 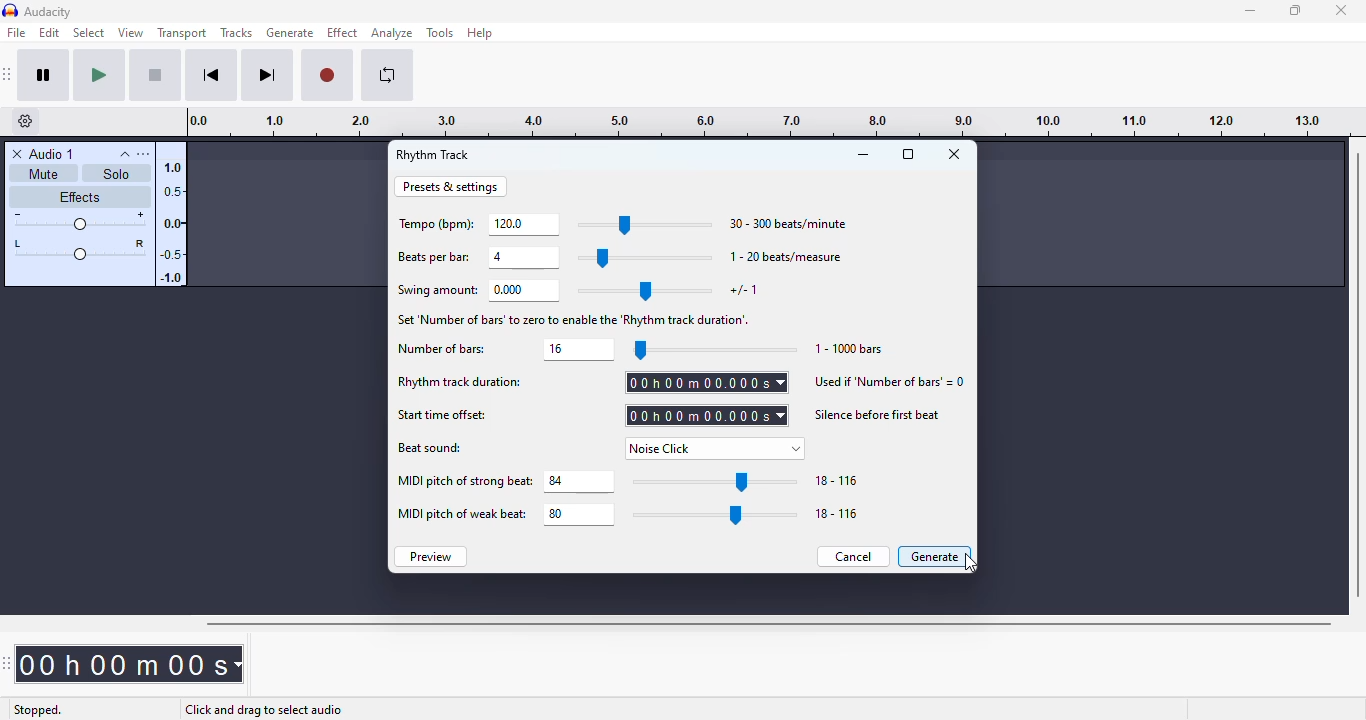 I want to click on beats per bar, so click(x=435, y=257).